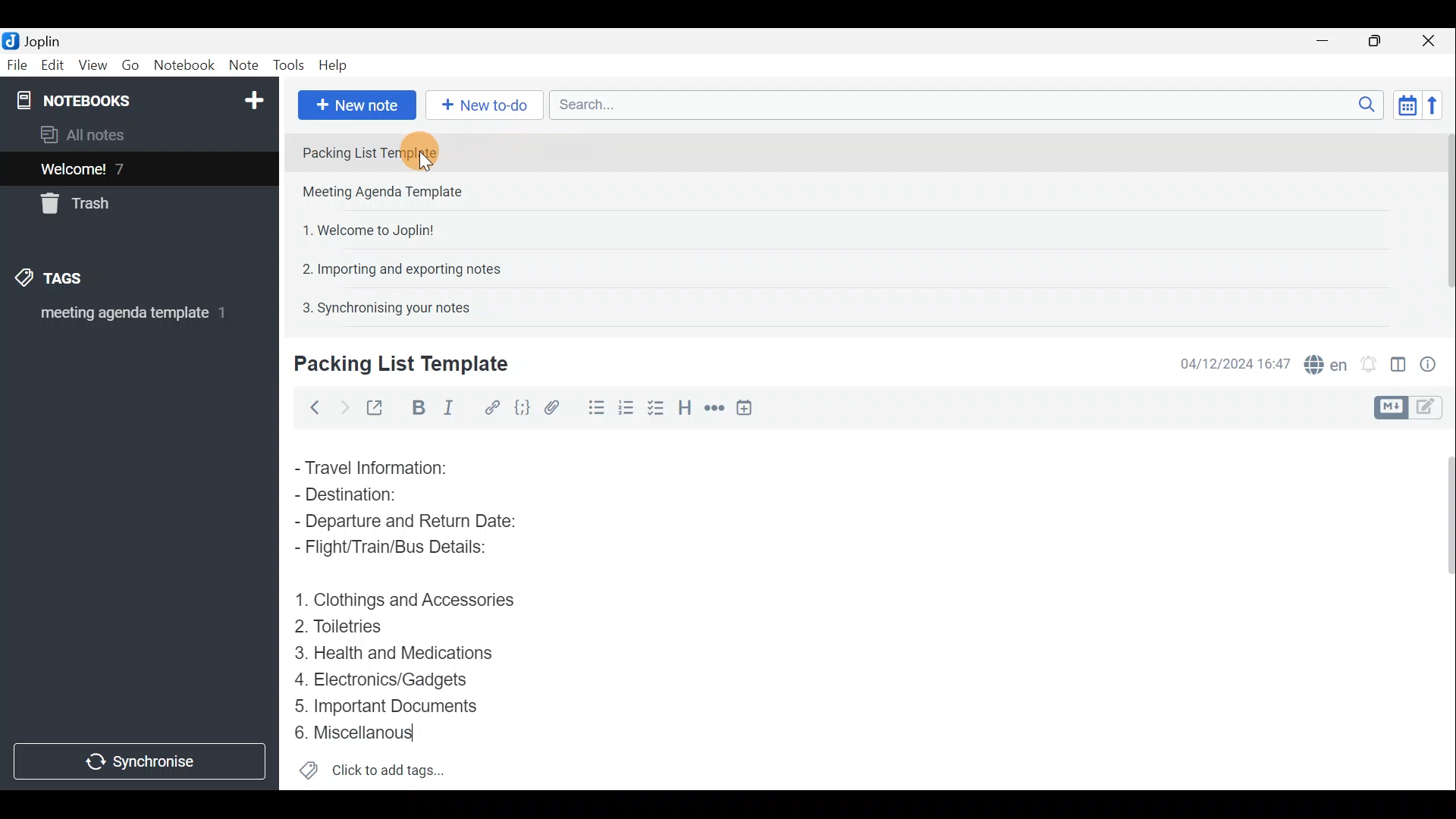 The height and width of the screenshot is (819, 1456). What do you see at coordinates (1433, 362) in the screenshot?
I see `Note properties` at bounding box center [1433, 362].